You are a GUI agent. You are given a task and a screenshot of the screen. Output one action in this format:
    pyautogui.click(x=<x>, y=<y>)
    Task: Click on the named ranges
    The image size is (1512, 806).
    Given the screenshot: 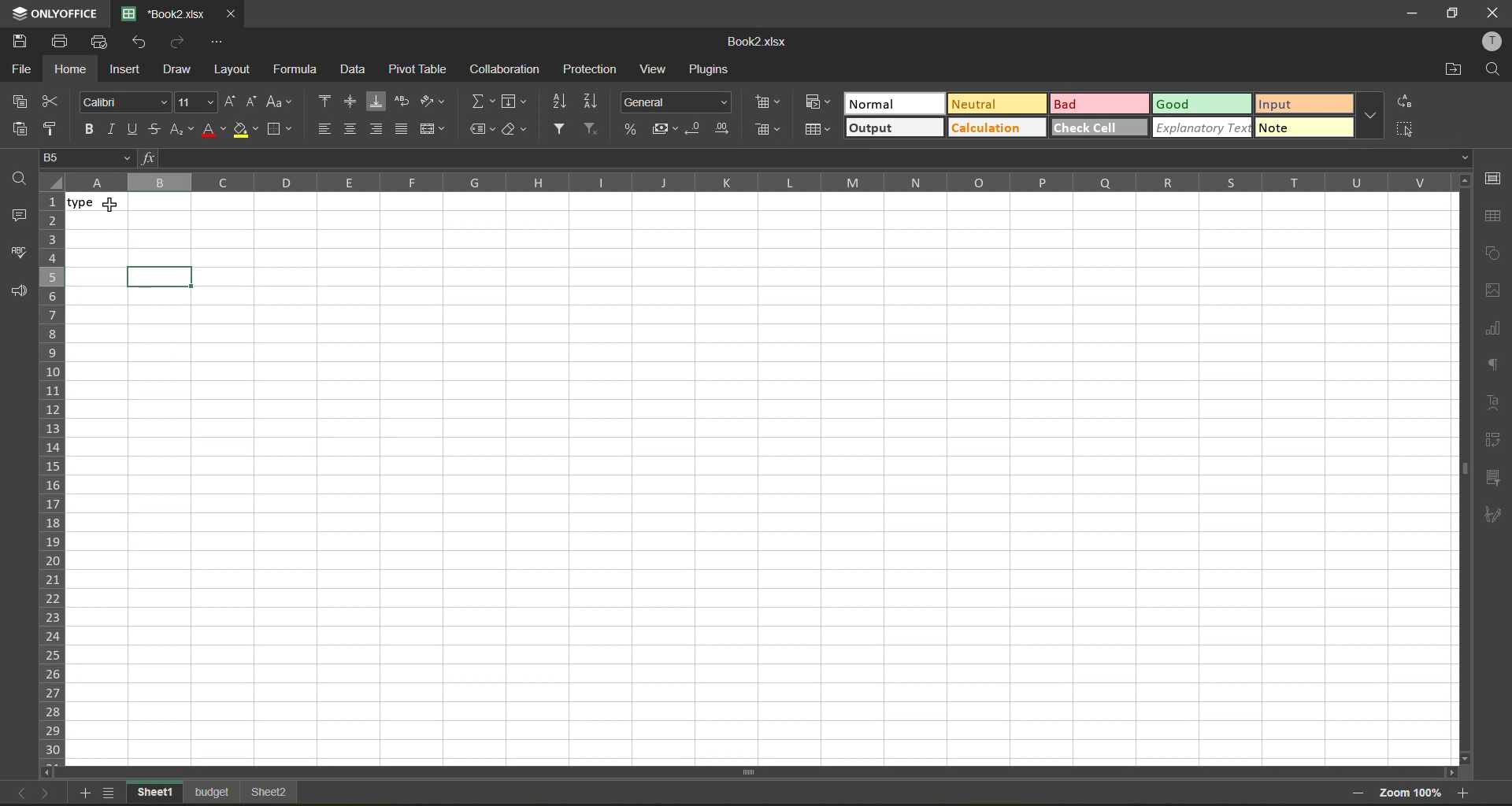 What is the action you would take?
    pyautogui.click(x=481, y=131)
    